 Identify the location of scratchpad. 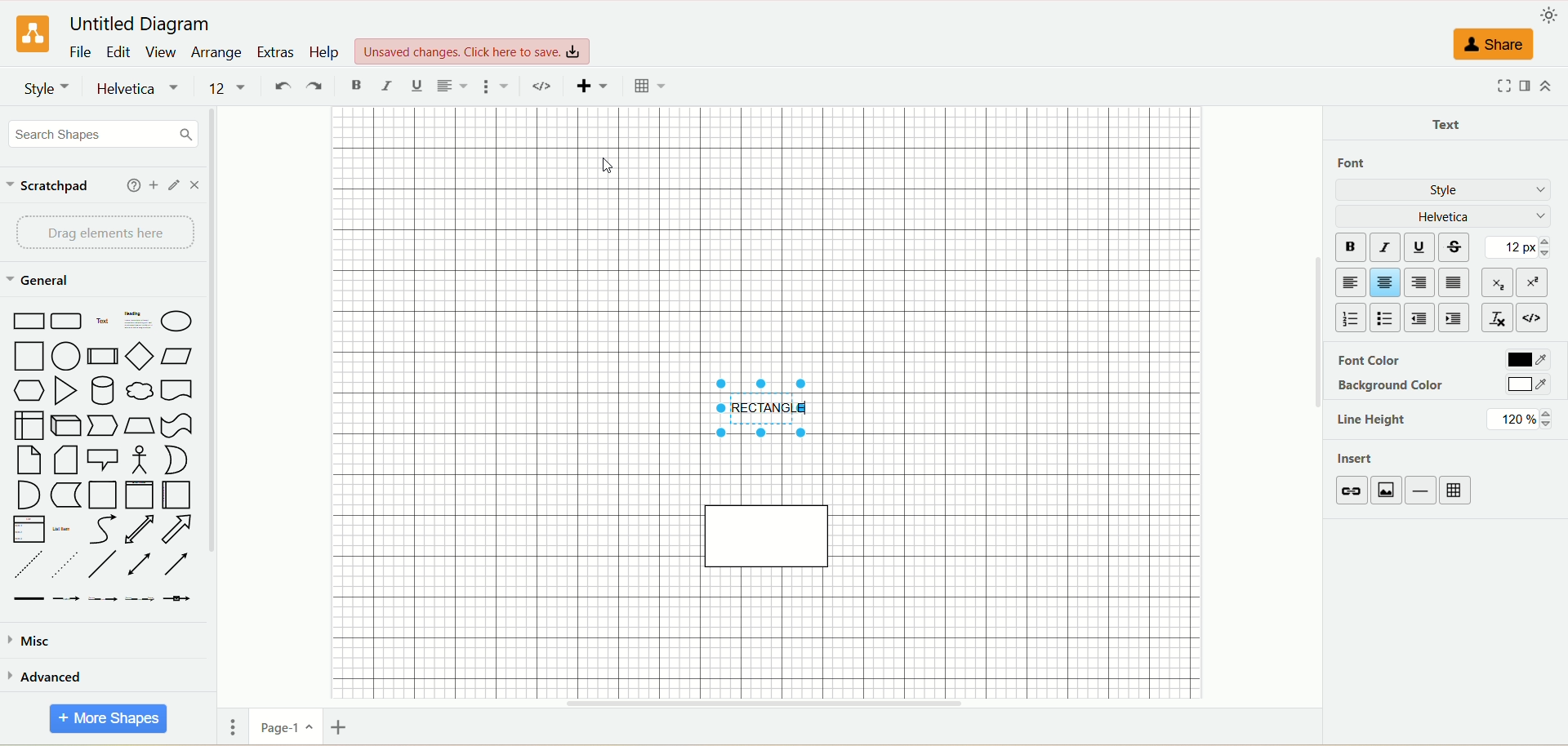
(56, 184).